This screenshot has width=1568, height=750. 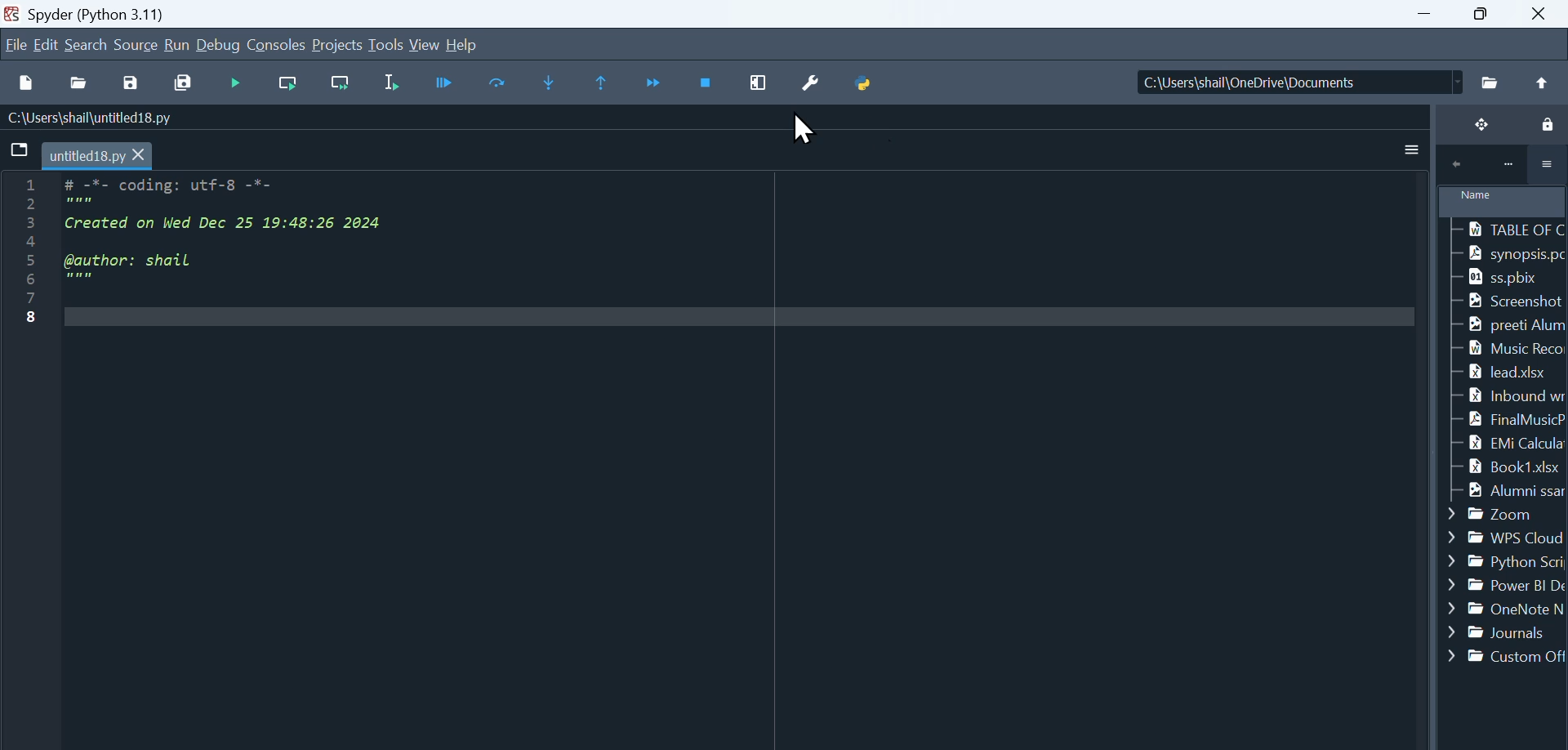 I want to click on Inbound w.., so click(x=1508, y=395).